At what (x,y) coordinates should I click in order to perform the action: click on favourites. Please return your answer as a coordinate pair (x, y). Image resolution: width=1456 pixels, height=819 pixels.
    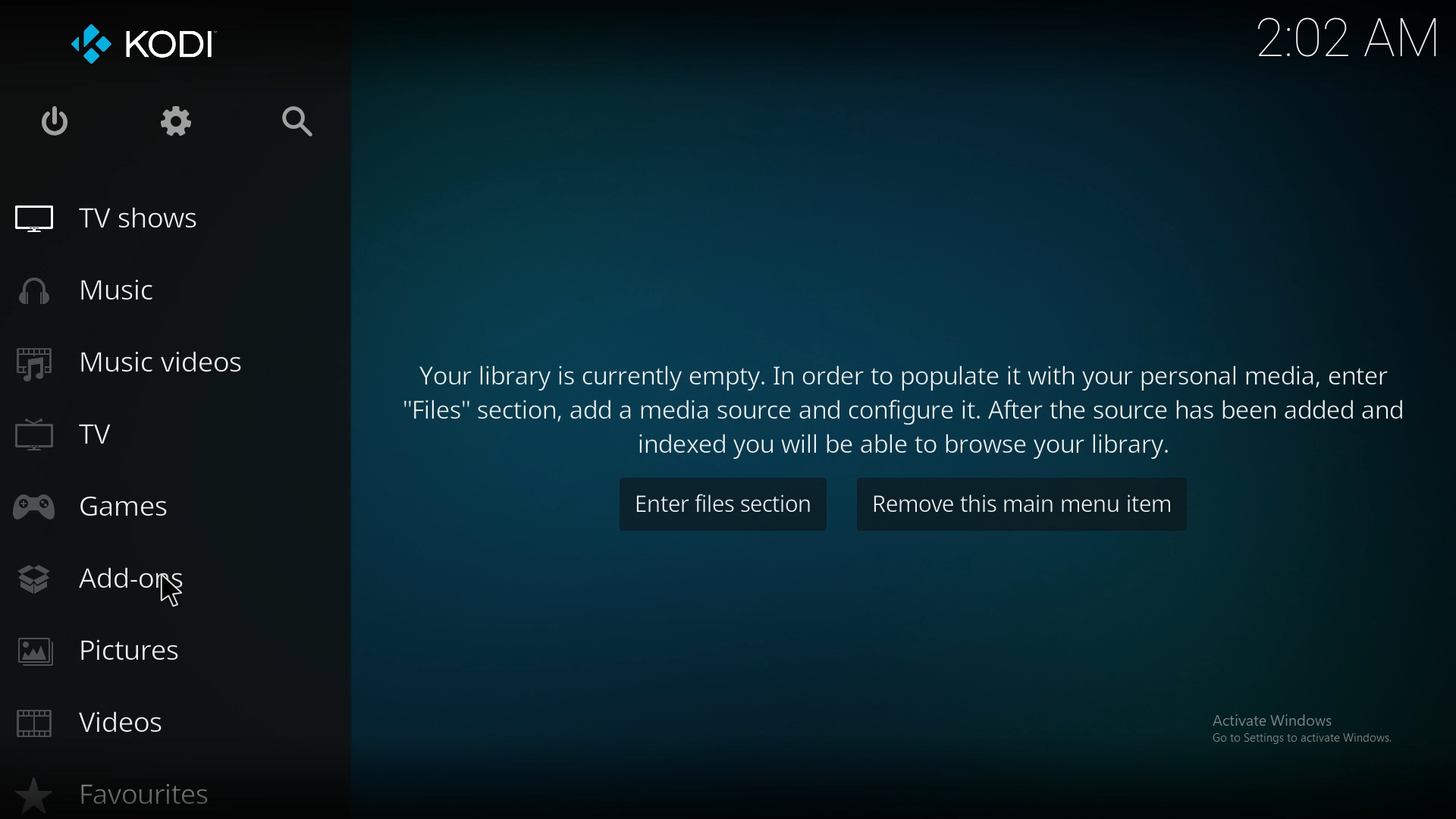
    Looking at the image, I should click on (121, 787).